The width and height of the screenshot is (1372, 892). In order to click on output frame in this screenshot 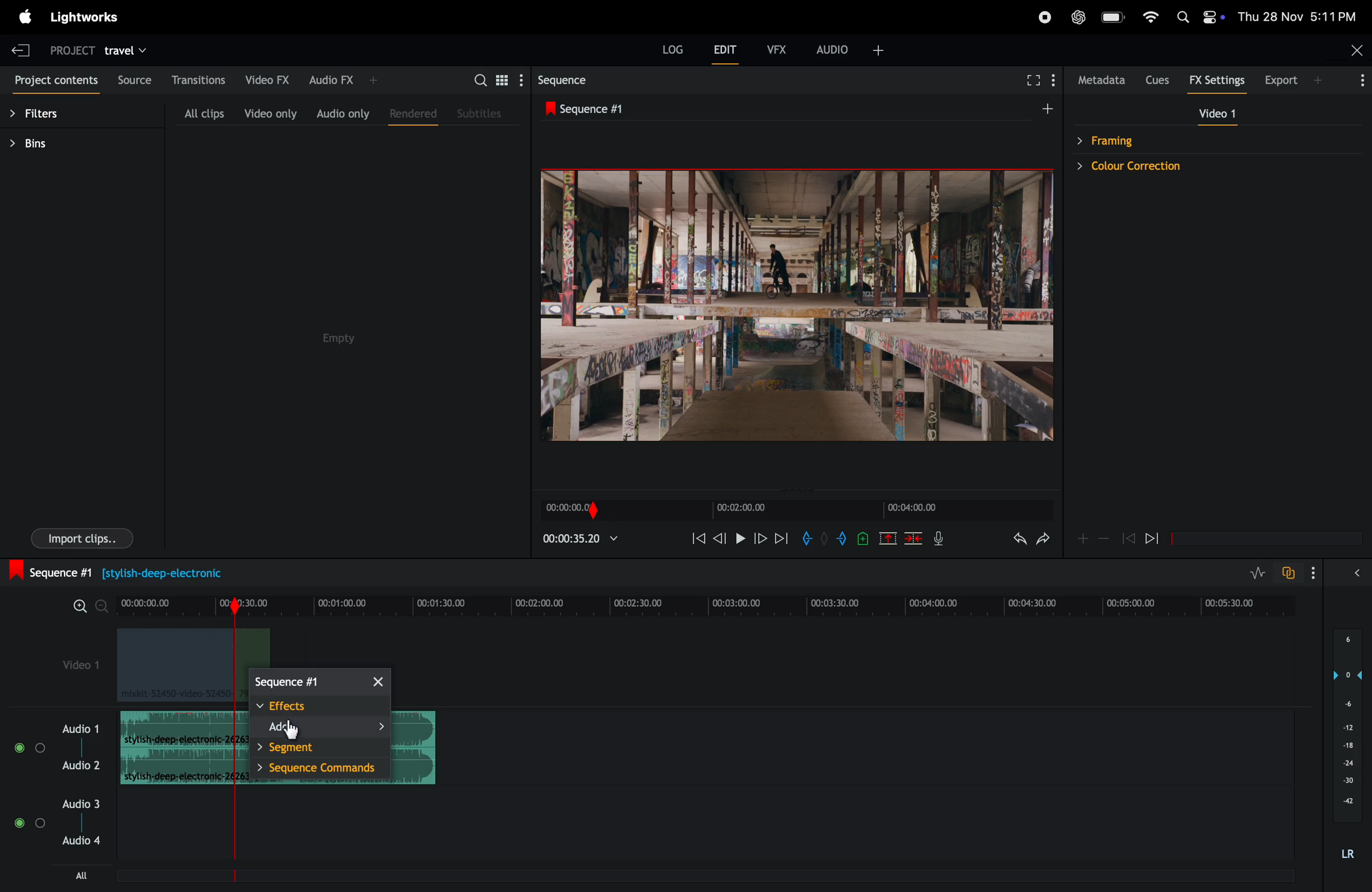, I will do `click(795, 311)`.